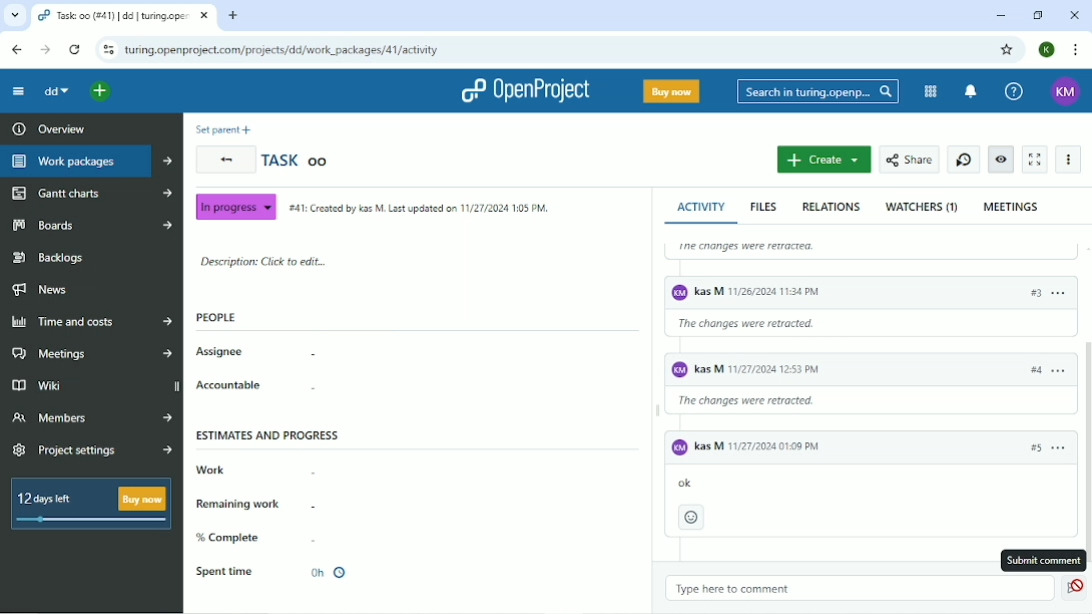 Image resolution: width=1092 pixels, height=614 pixels. Describe the element at coordinates (526, 91) in the screenshot. I see `OpenProject` at that location.